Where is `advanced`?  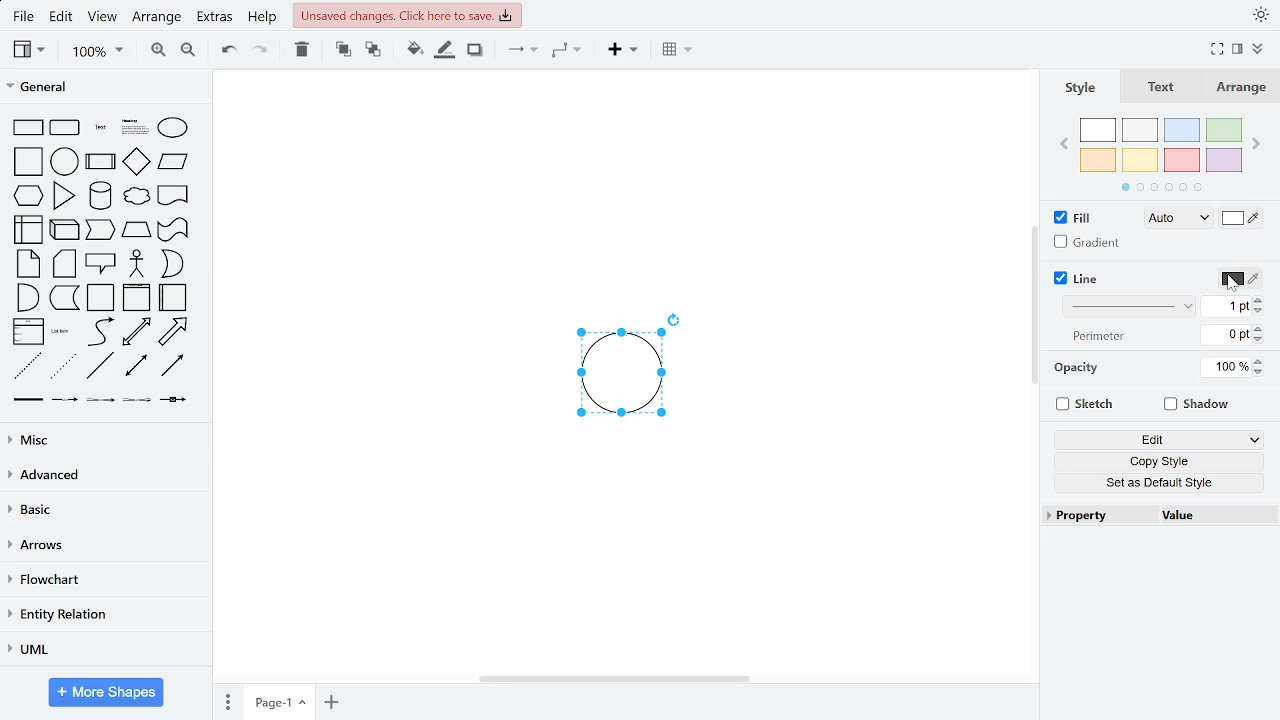 advanced is located at coordinates (104, 475).